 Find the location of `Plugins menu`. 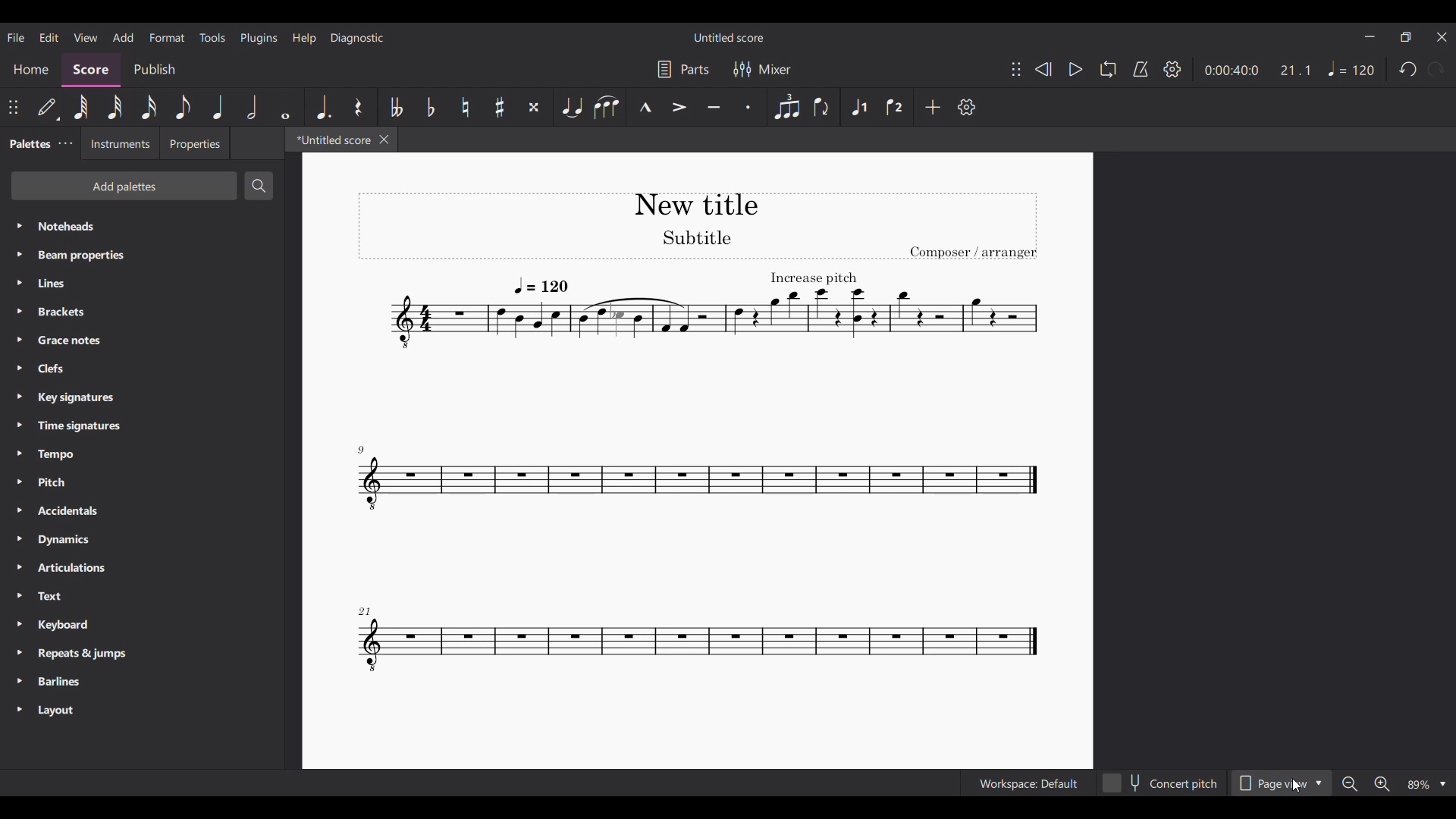

Plugins menu is located at coordinates (259, 38).